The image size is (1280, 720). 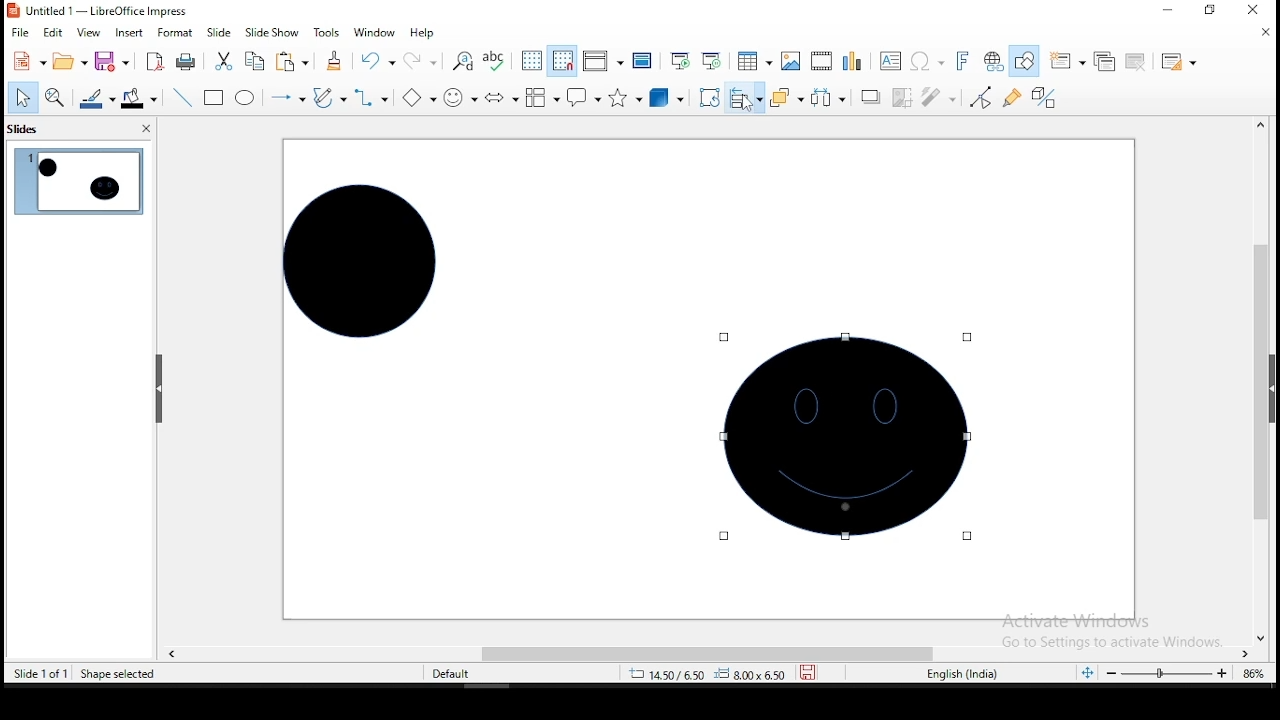 I want to click on zoom level, so click(x=1251, y=673).